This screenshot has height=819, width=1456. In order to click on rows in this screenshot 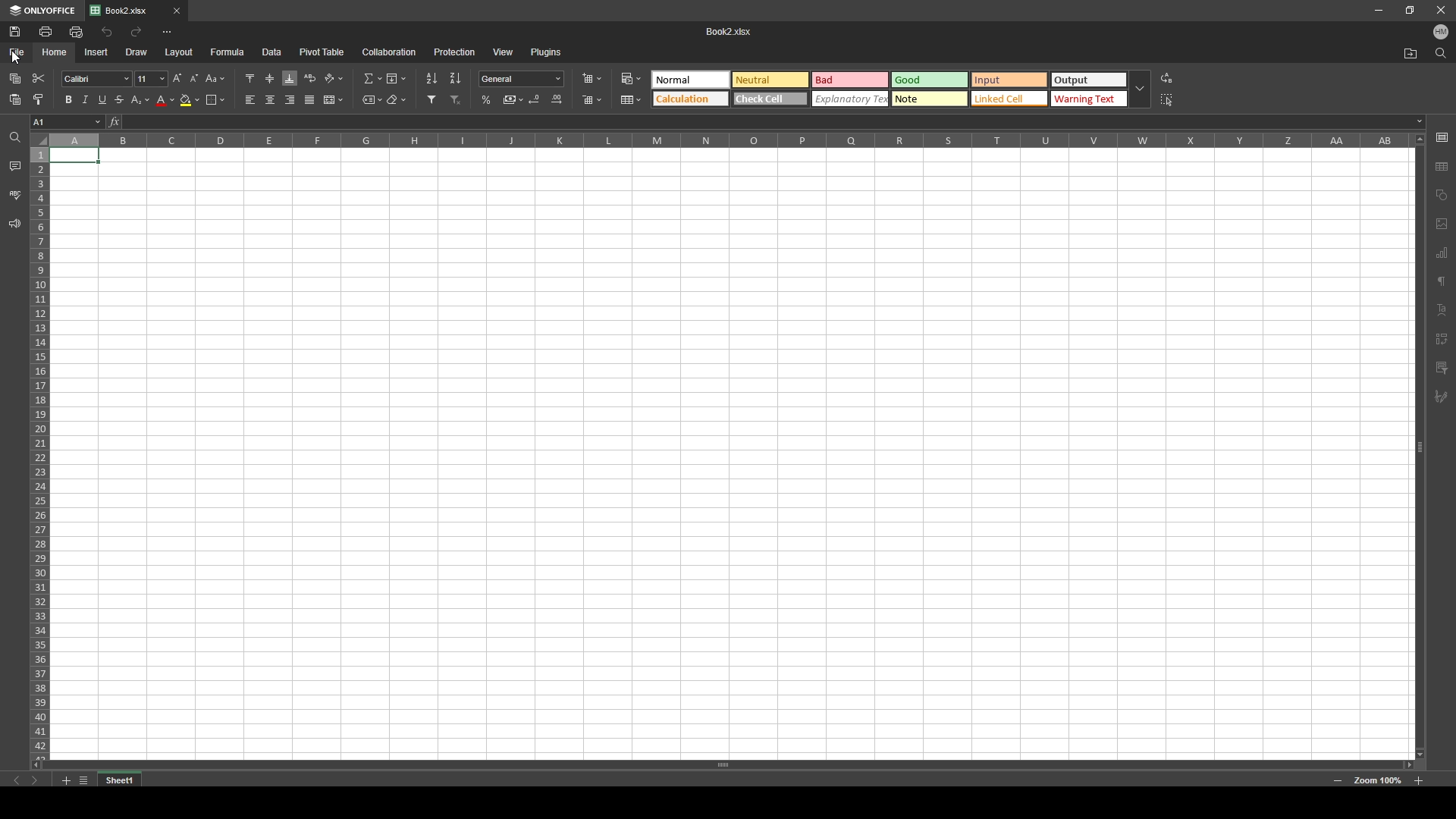, I will do `click(39, 443)`.